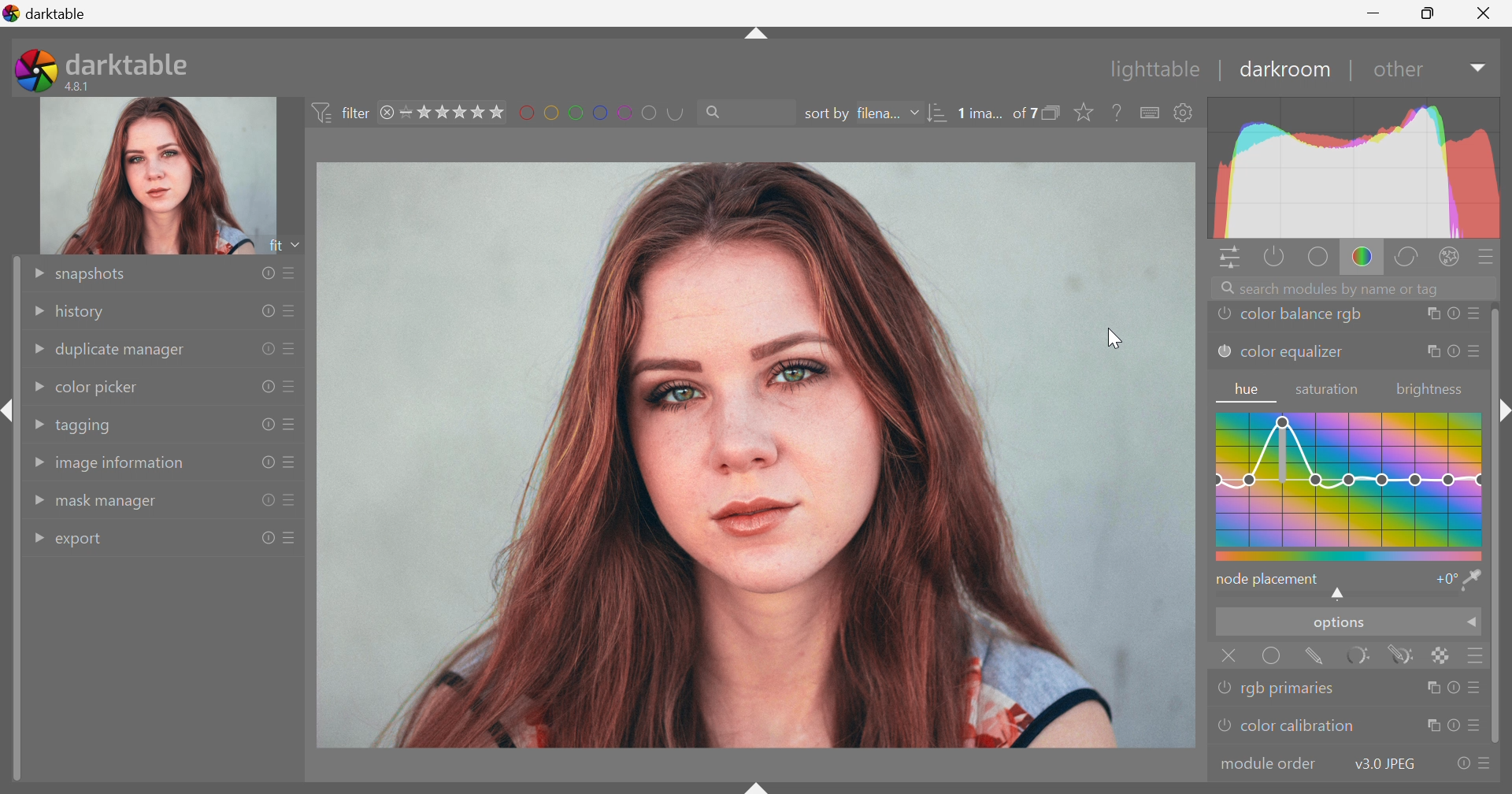  What do you see at coordinates (1350, 484) in the screenshot?
I see `hue` at bounding box center [1350, 484].